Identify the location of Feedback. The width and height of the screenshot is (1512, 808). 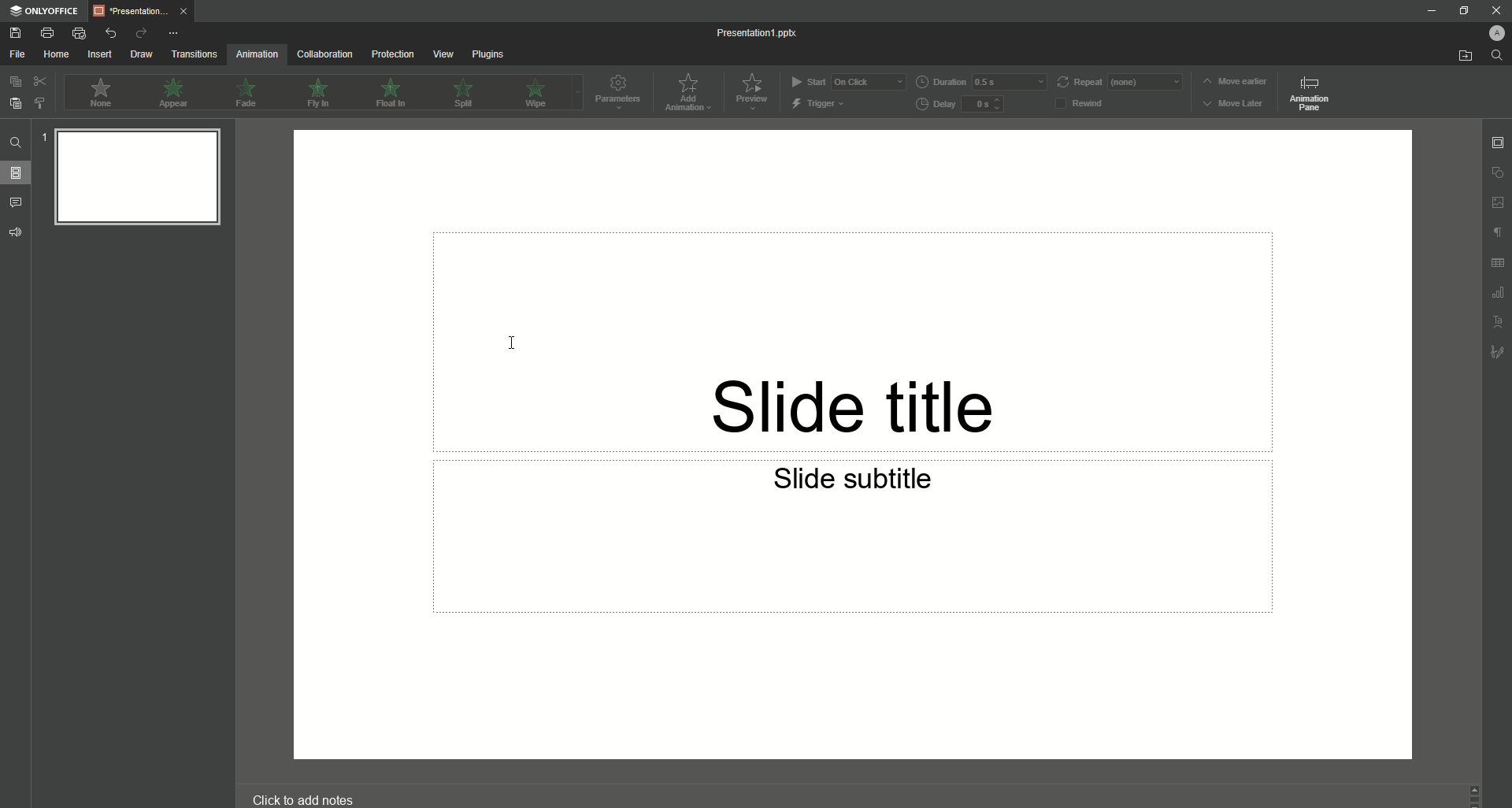
(16, 233).